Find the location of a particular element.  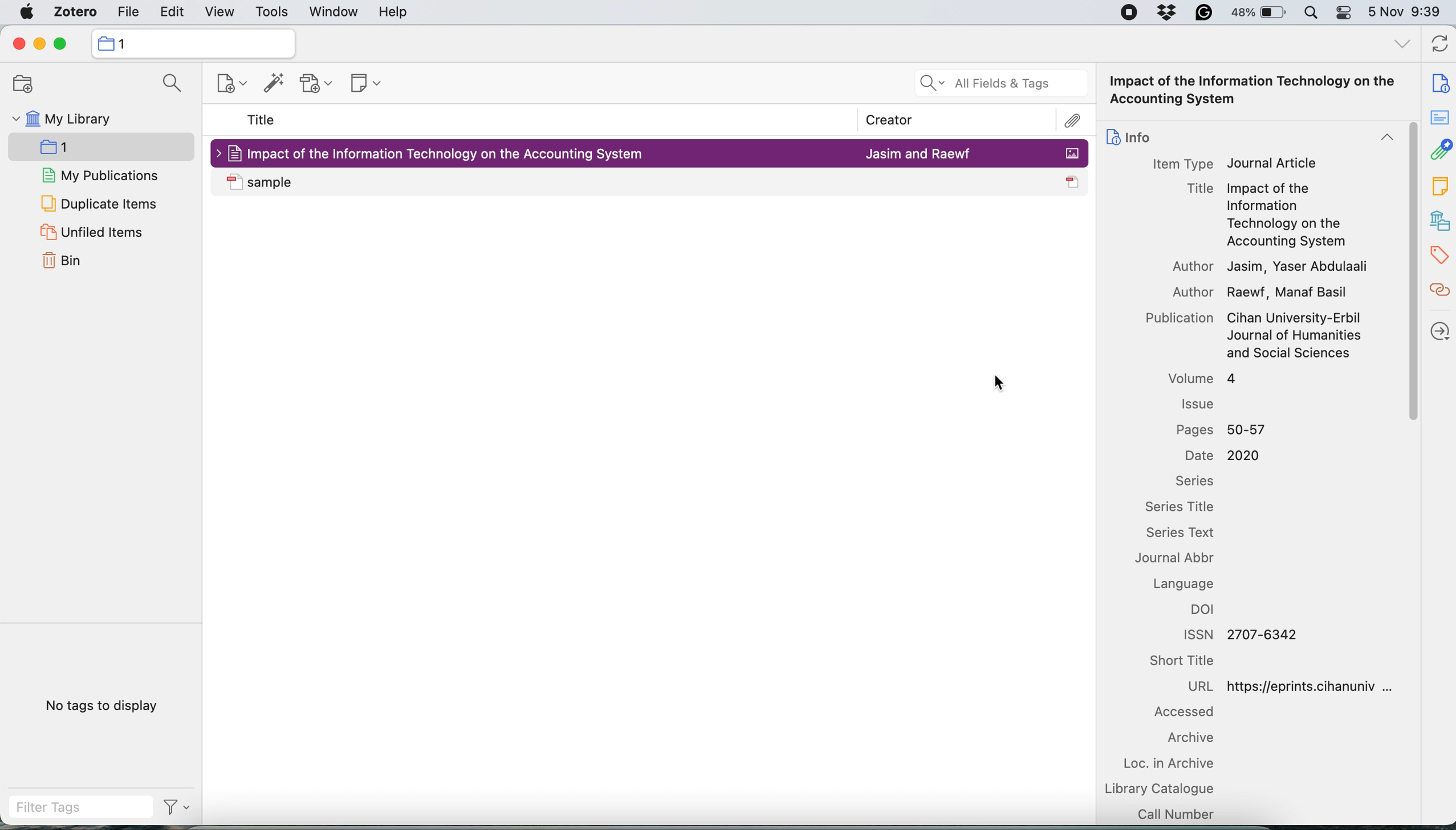

info is located at coordinates (1250, 137).